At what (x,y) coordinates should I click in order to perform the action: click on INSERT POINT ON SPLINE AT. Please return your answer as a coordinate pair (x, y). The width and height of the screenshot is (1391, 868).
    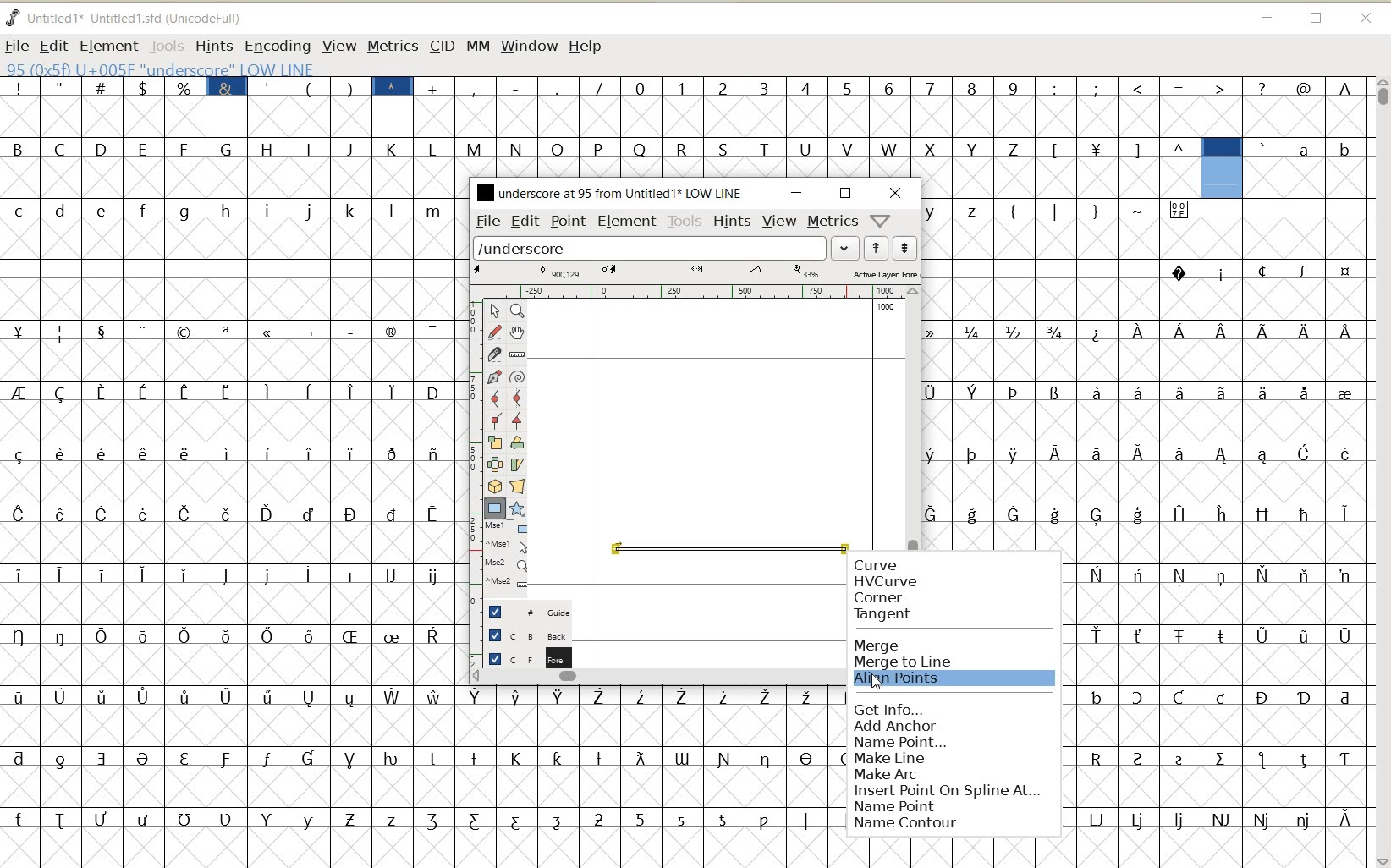
    Looking at the image, I should click on (945, 790).